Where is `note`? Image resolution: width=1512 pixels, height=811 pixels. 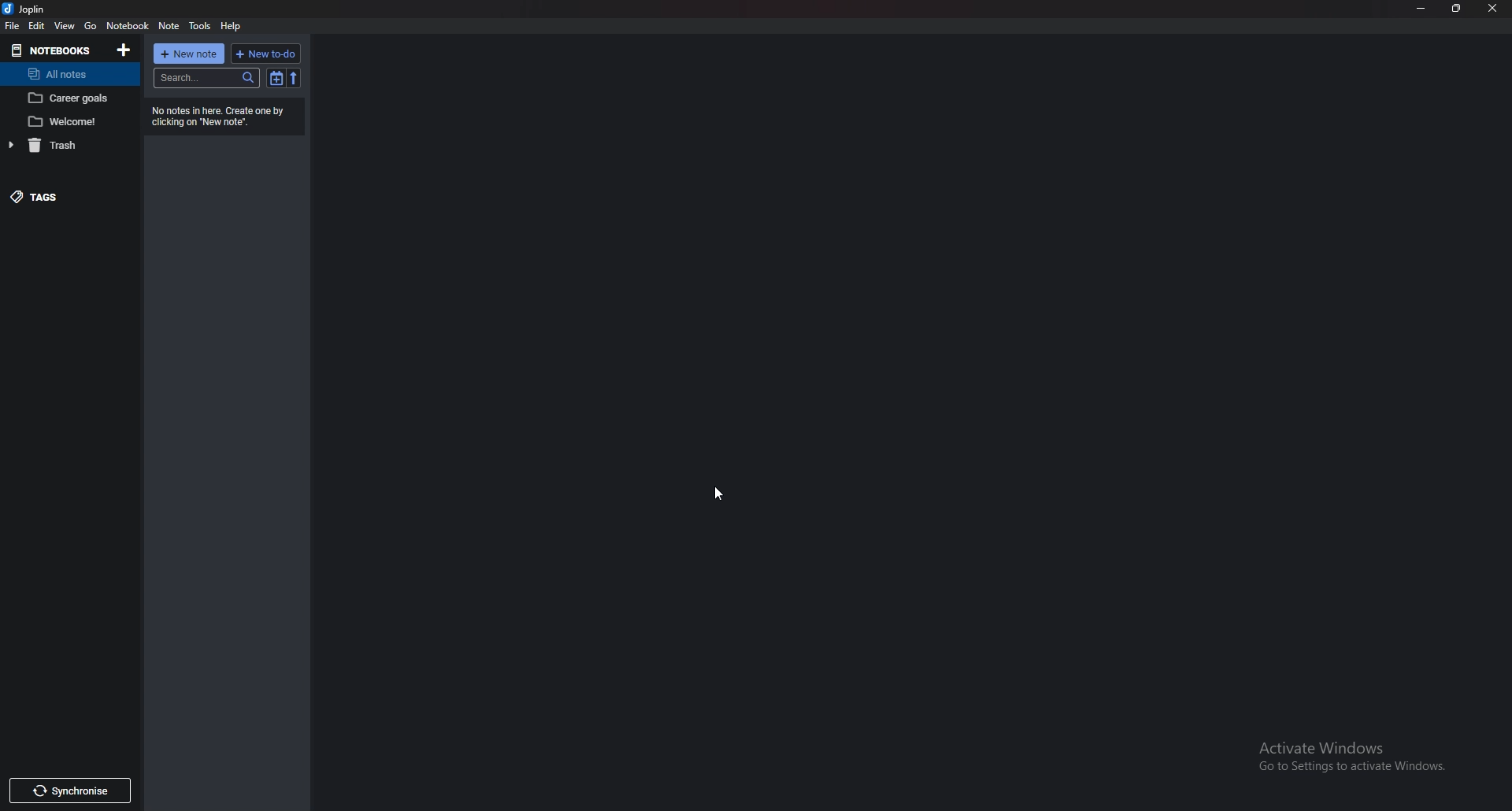
note is located at coordinates (68, 121).